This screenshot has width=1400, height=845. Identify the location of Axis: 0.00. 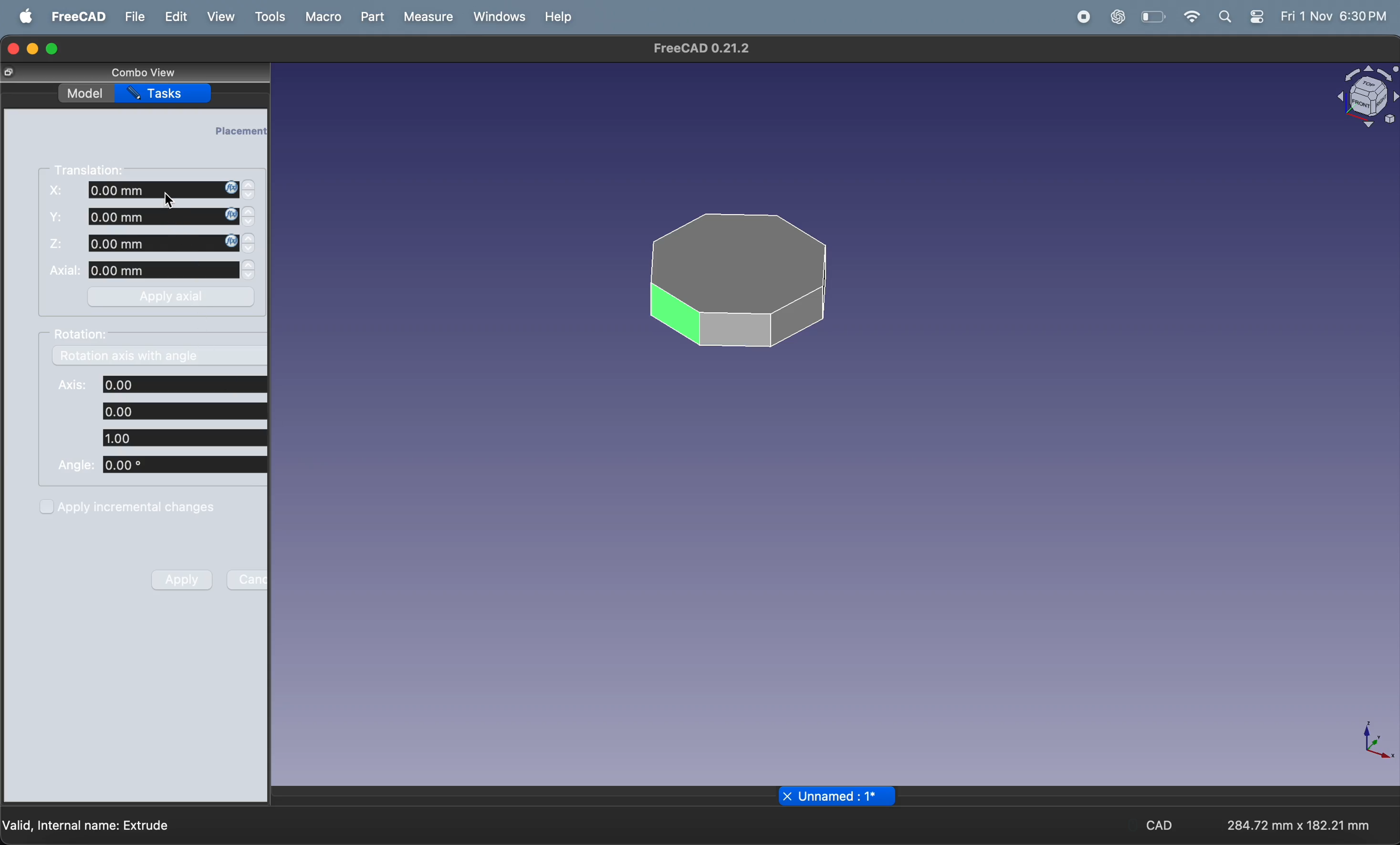
(162, 384).